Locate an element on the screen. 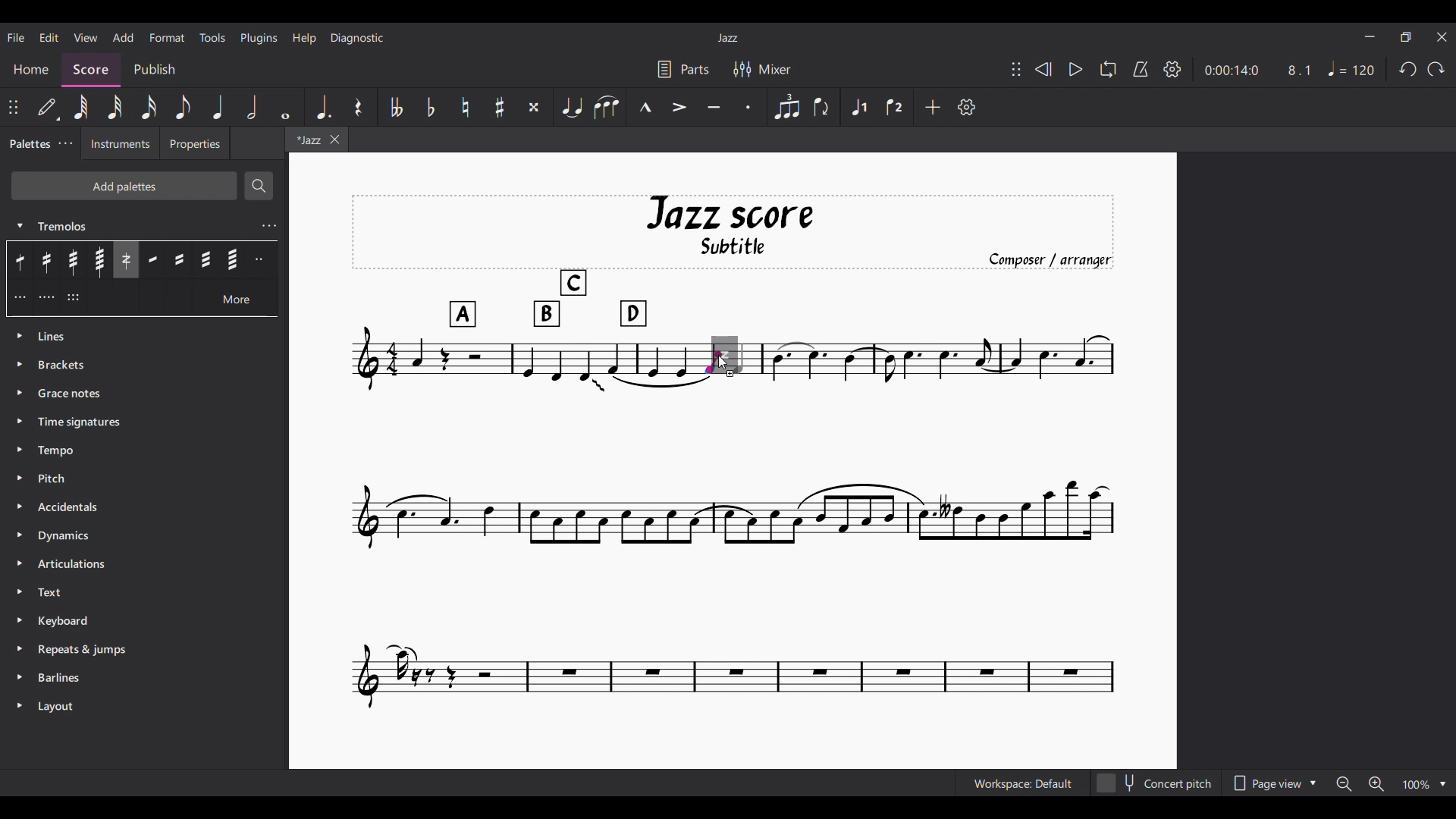 This screenshot has width=1456, height=819. Score is located at coordinates (91, 70).